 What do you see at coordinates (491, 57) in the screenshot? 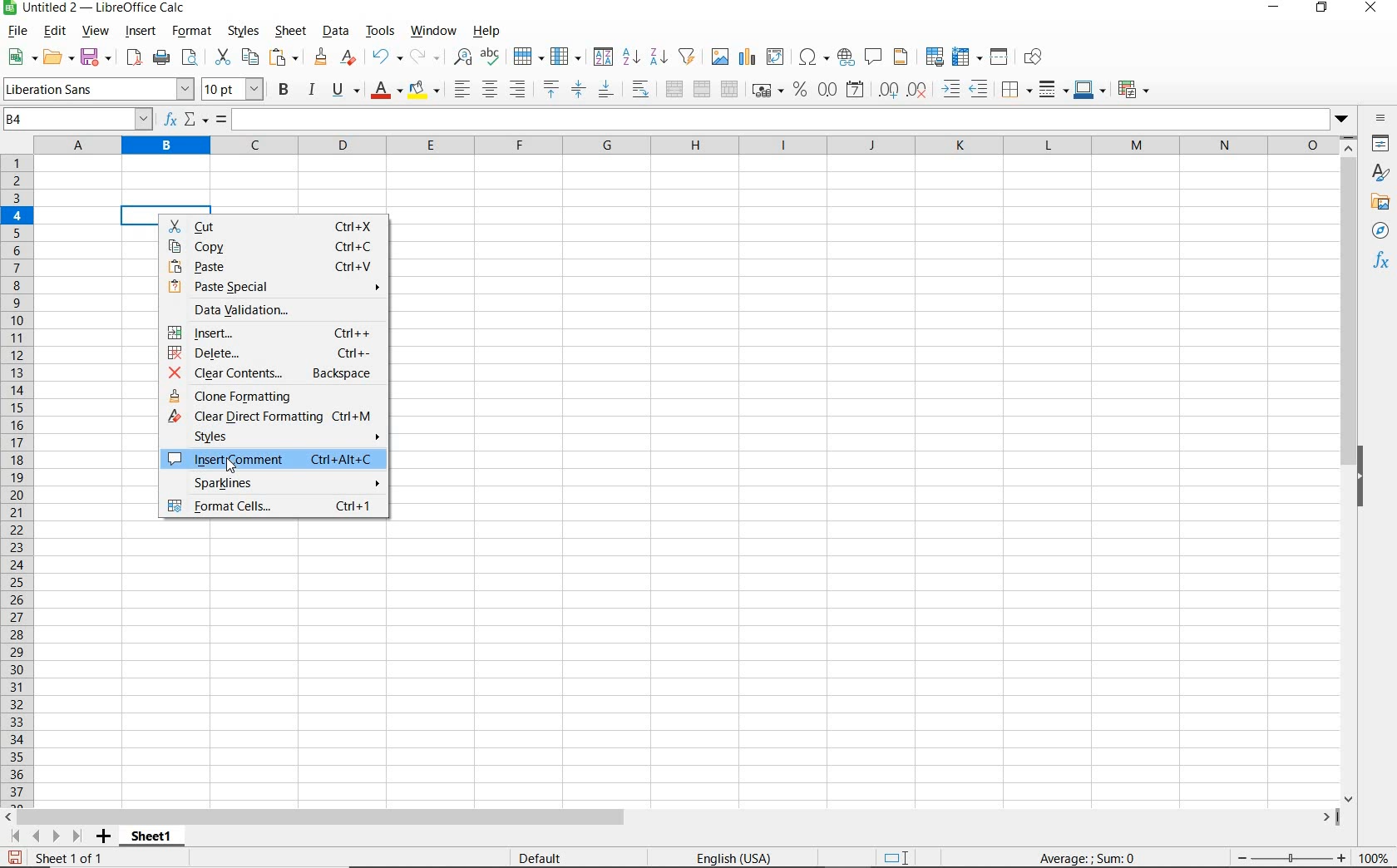
I see `spelling` at bounding box center [491, 57].